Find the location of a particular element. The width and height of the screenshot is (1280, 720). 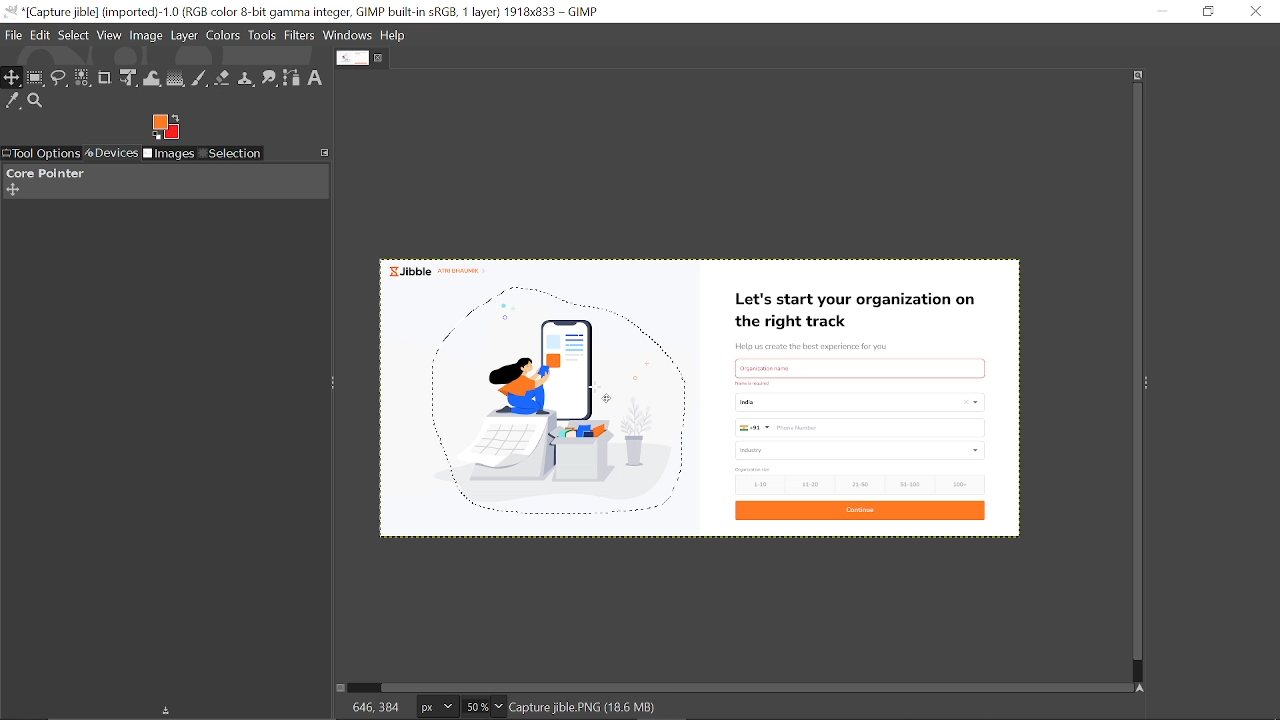

 is located at coordinates (757, 383).